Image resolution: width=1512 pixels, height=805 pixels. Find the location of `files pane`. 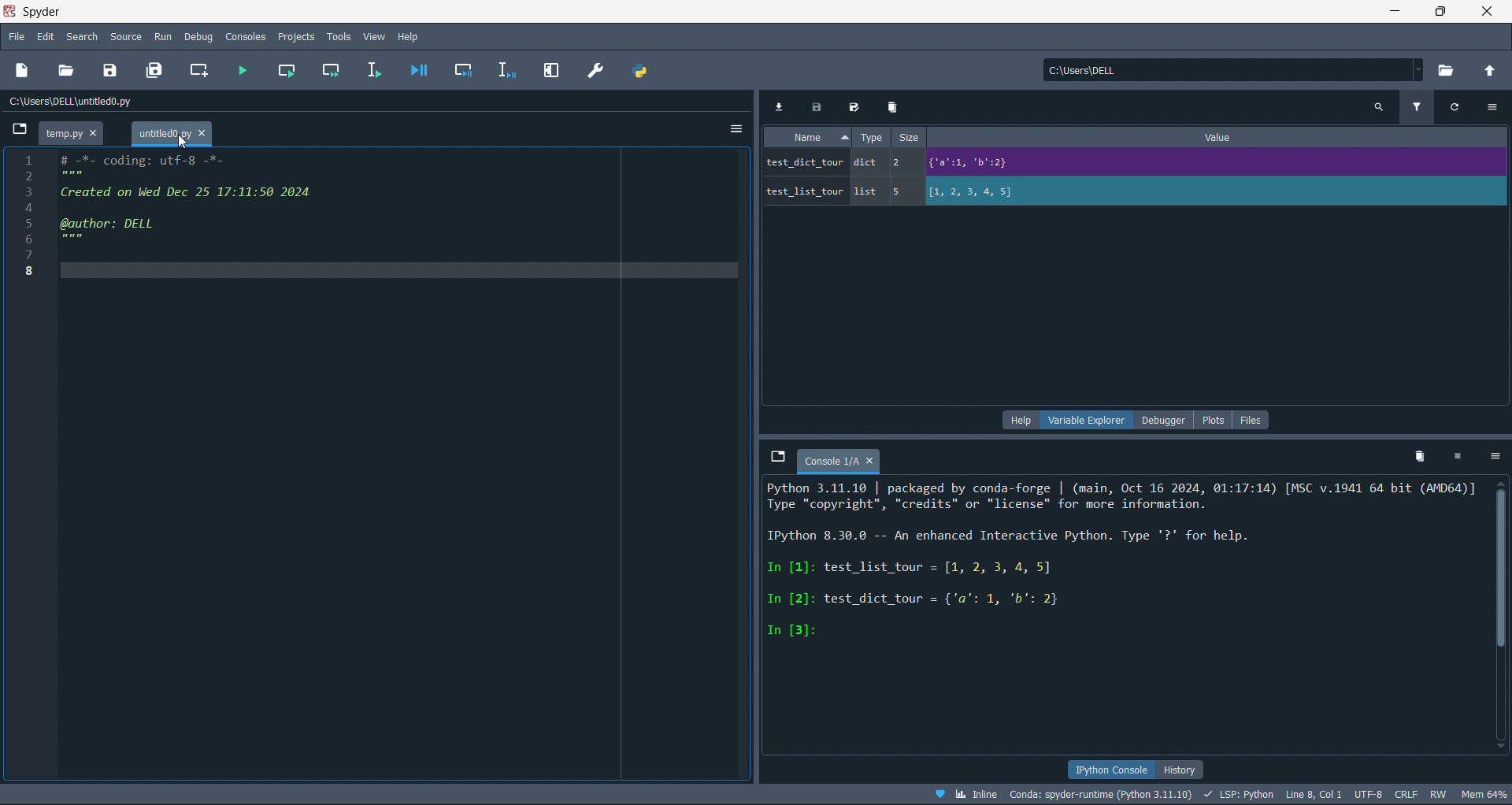

files pane is located at coordinates (1251, 420).